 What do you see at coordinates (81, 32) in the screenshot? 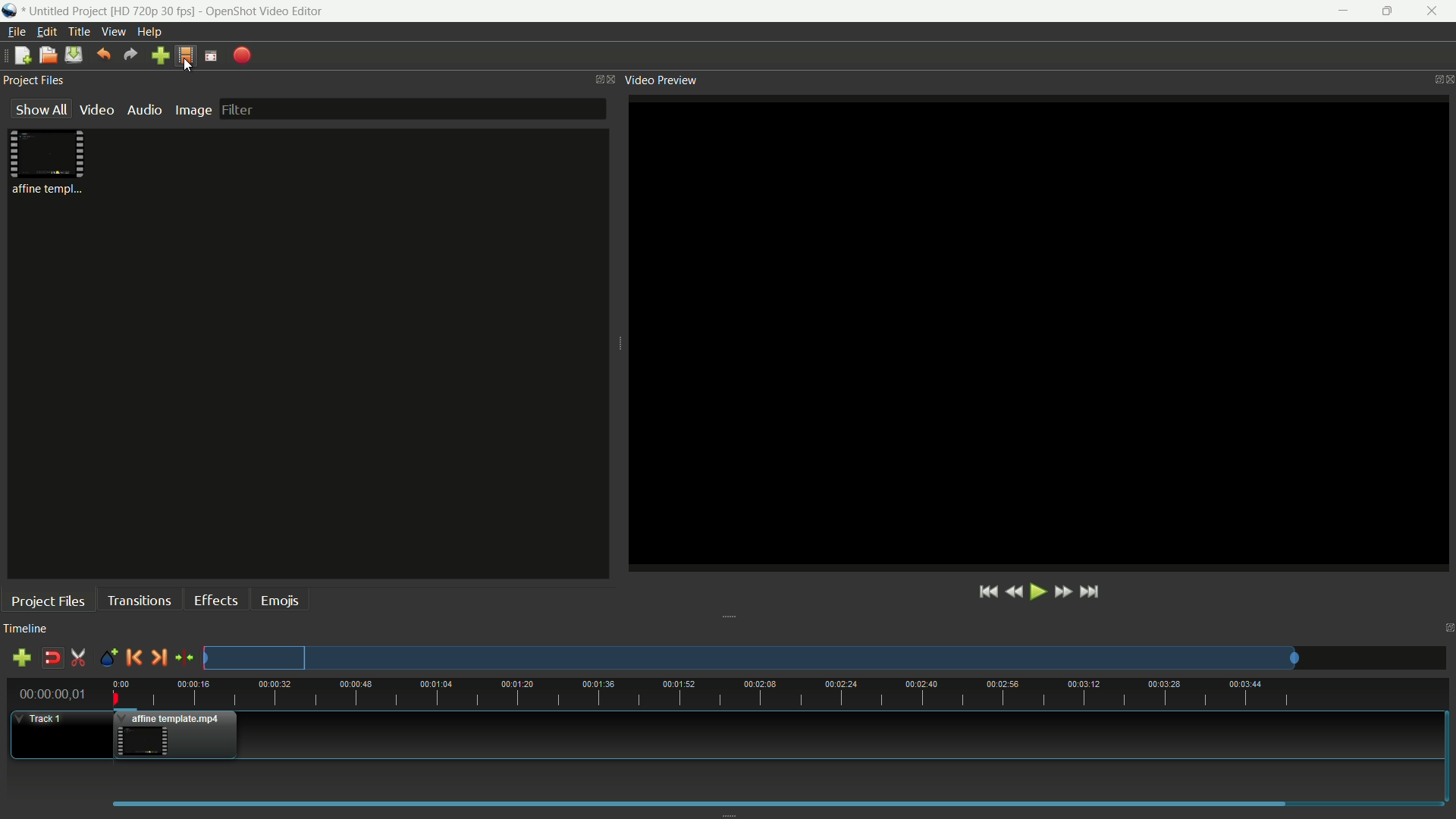
I see `title menu` at bounding box center [81, 32].